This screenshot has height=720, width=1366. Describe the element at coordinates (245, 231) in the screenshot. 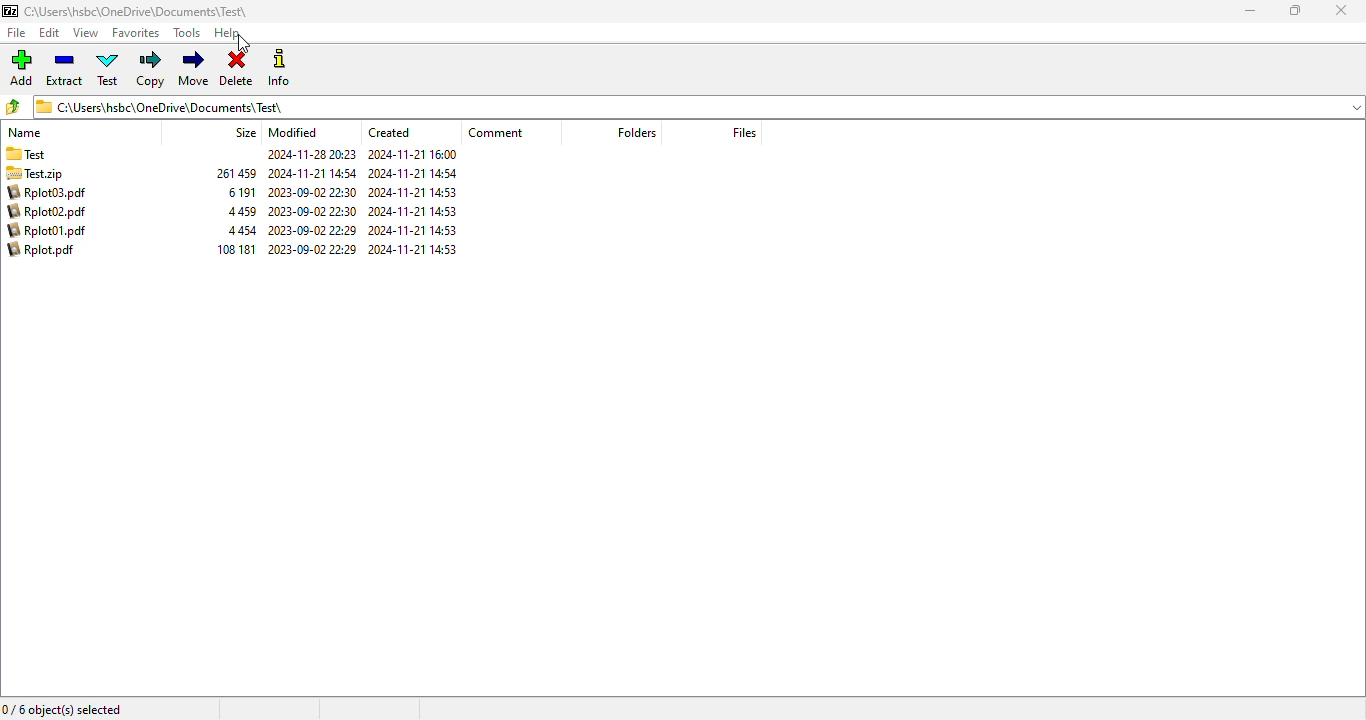

I see `4 454` at that location.